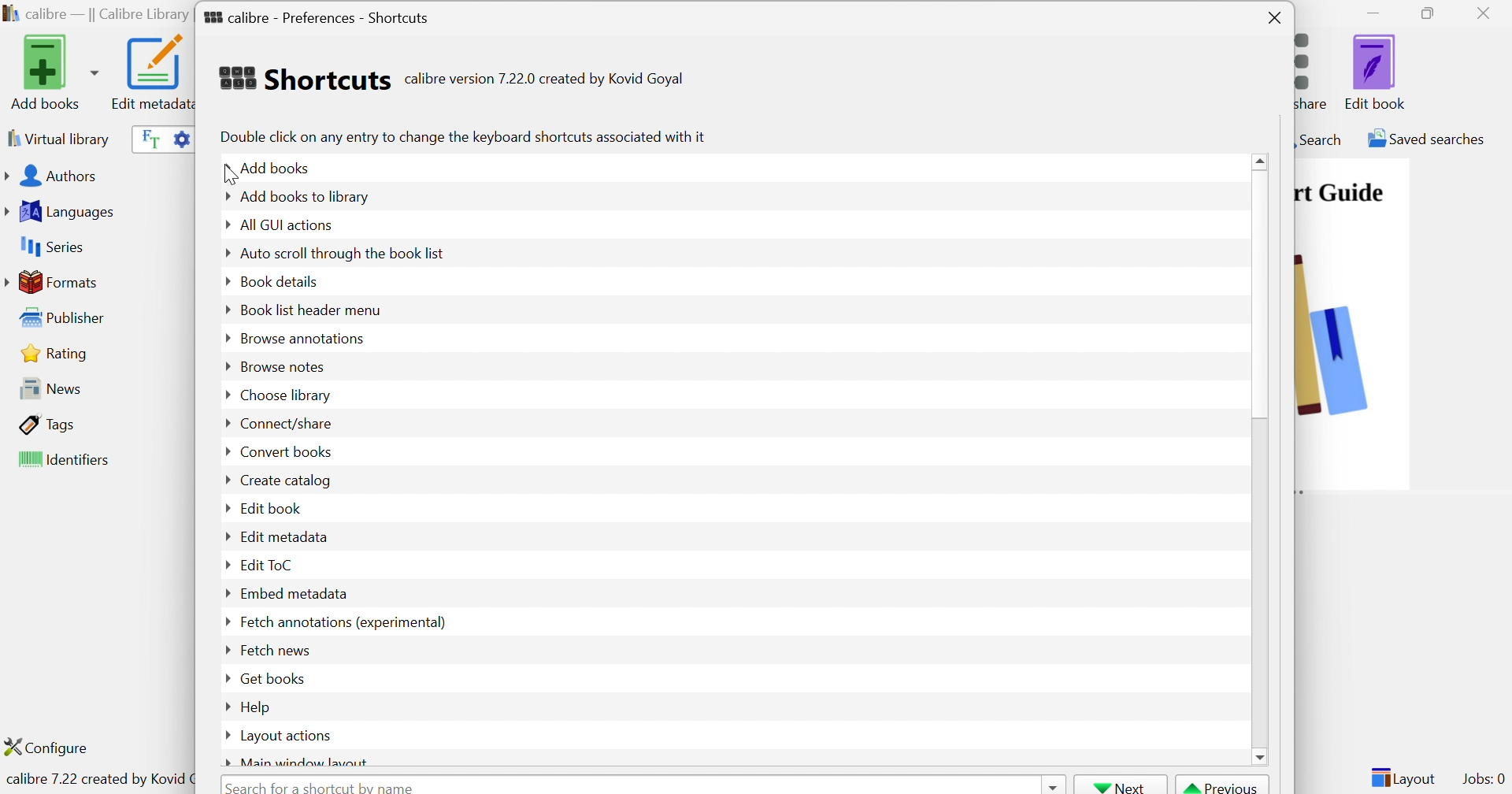 This screenshot has width=1512, height=794. I want to click on Fetch news, so click(273, 649).